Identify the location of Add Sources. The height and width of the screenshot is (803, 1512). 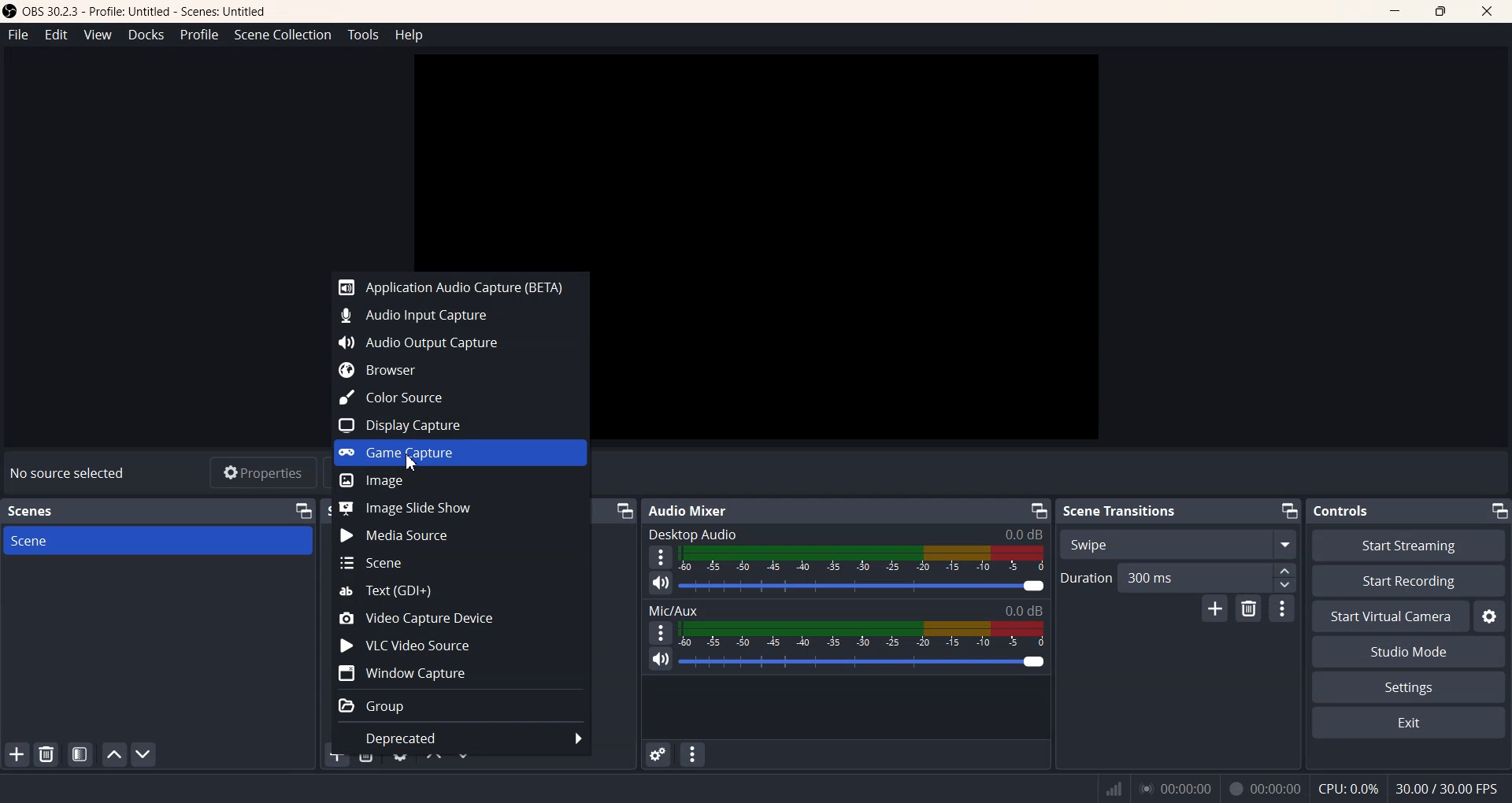
(336, 756).